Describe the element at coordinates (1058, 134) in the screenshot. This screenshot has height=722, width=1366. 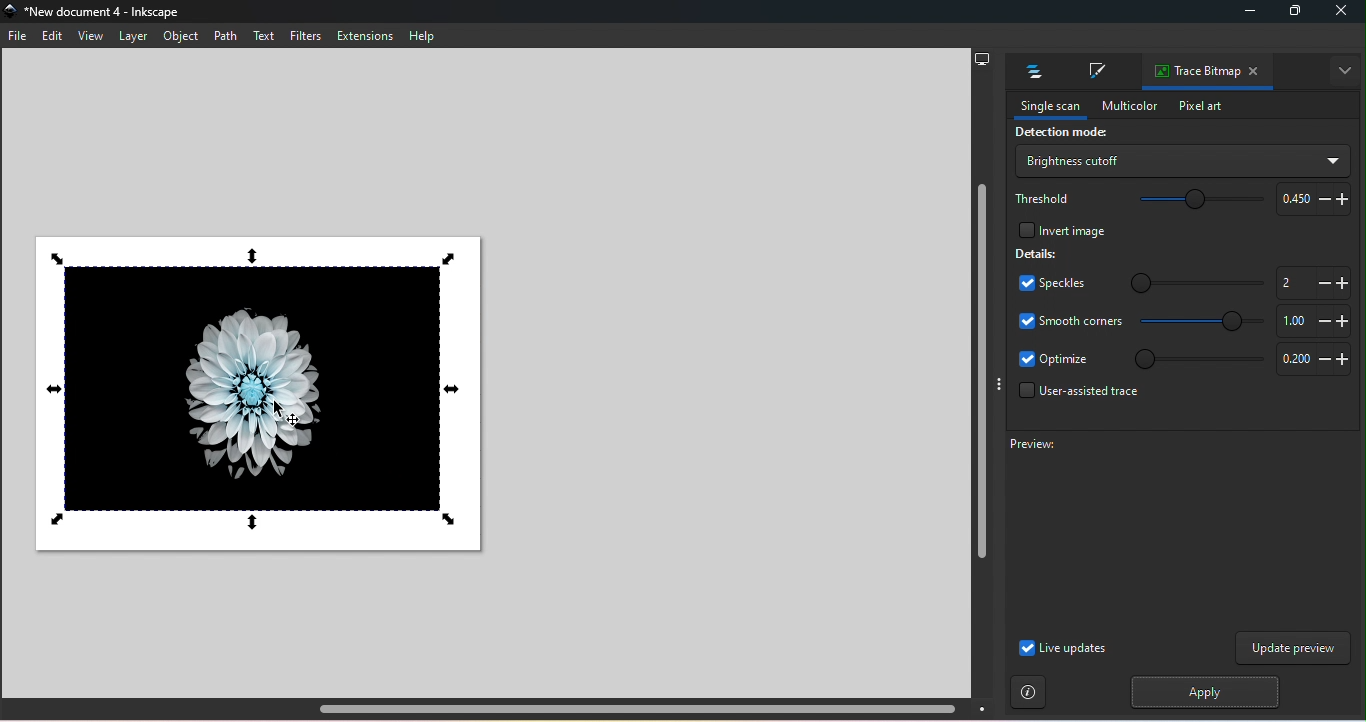
I see `Detection mode` at that location.